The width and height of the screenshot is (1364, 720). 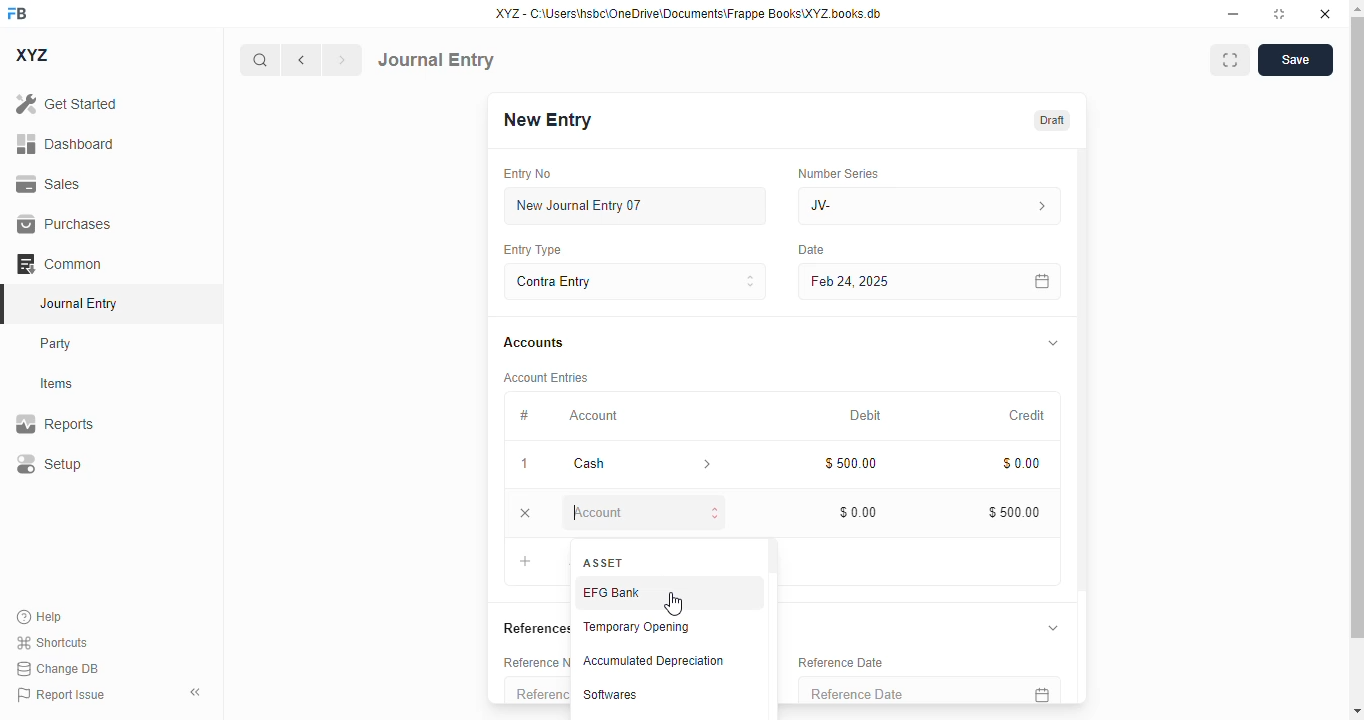 I want to click on add button, so click(x=524, y=561).